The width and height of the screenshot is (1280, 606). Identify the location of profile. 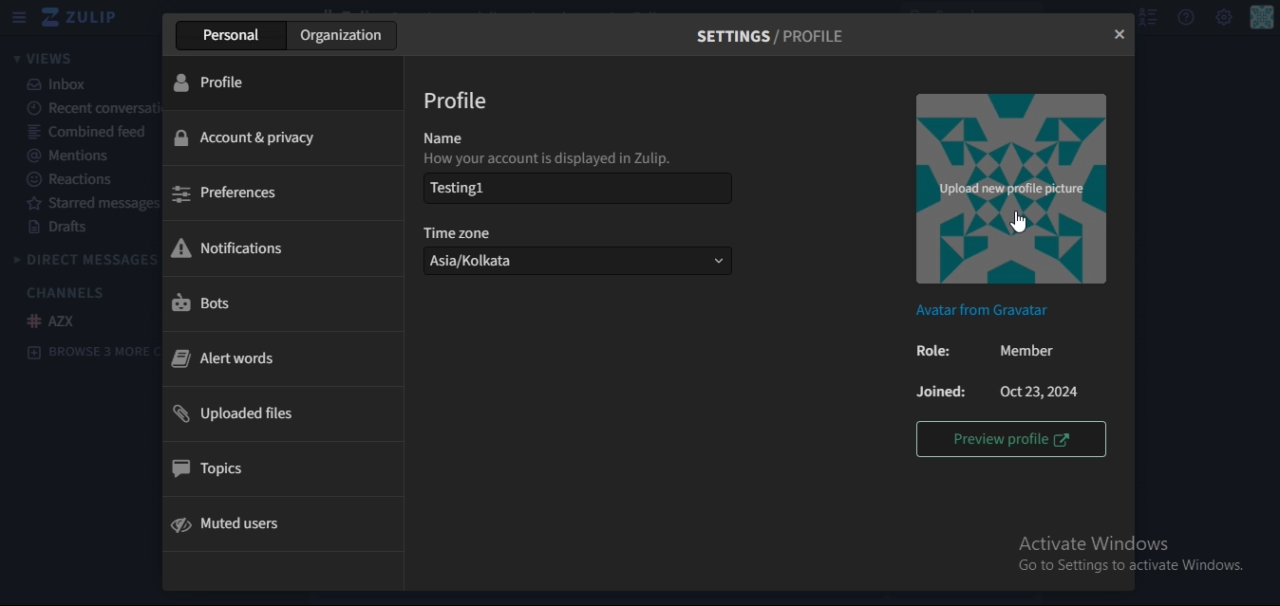
(454, 101).